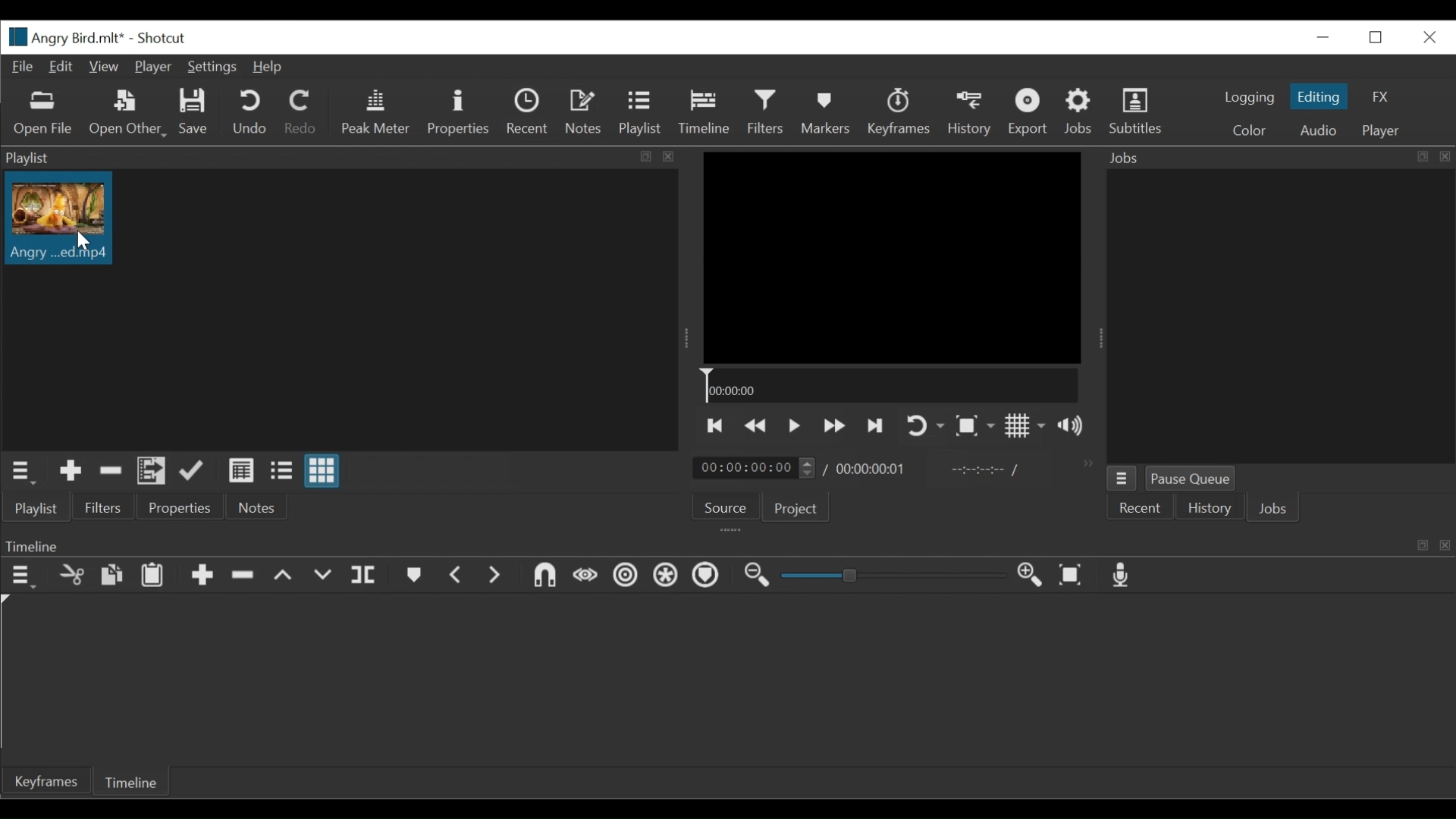 The height and width of the screenshot is (819, 1456). I want to click on FX, so click(1379, 98).